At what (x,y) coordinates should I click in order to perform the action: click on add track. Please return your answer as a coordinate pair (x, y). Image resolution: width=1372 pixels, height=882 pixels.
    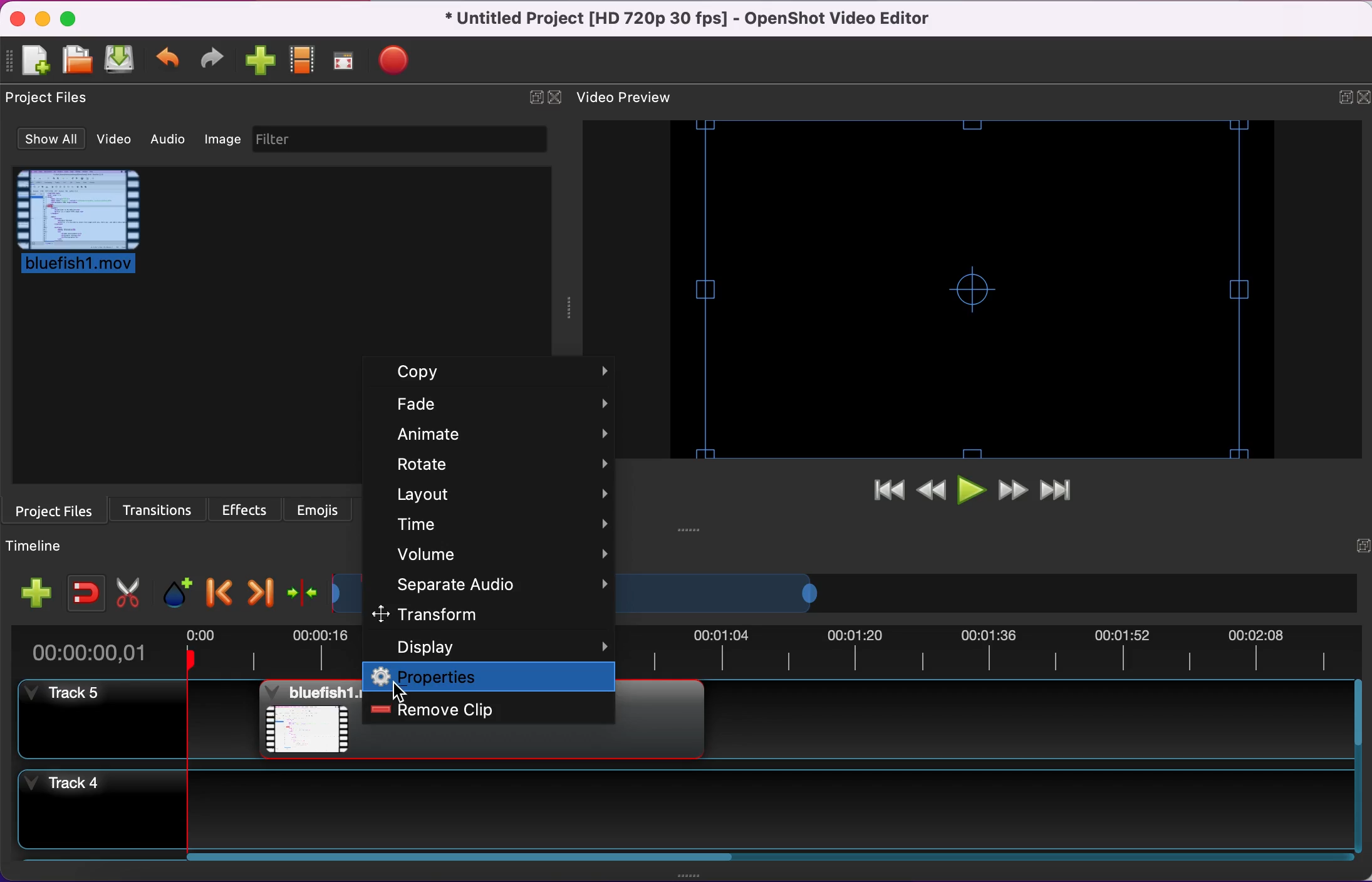
    Looking at the image, I should click on (38, 593).